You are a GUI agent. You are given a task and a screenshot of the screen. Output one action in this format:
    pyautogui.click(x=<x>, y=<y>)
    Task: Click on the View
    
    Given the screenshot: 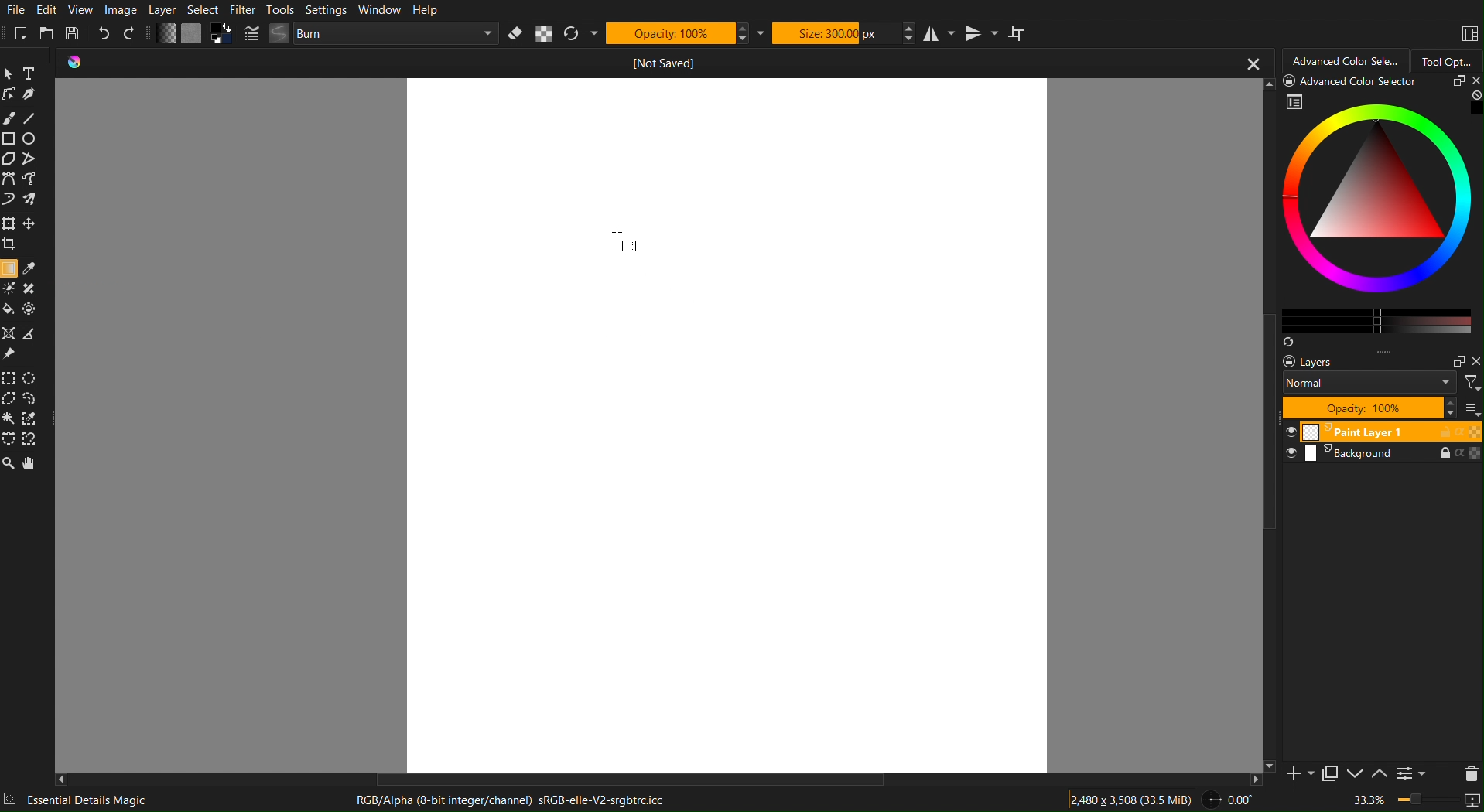 What is the action you would take?
    pyautogui.click(x=82, y=10)
    